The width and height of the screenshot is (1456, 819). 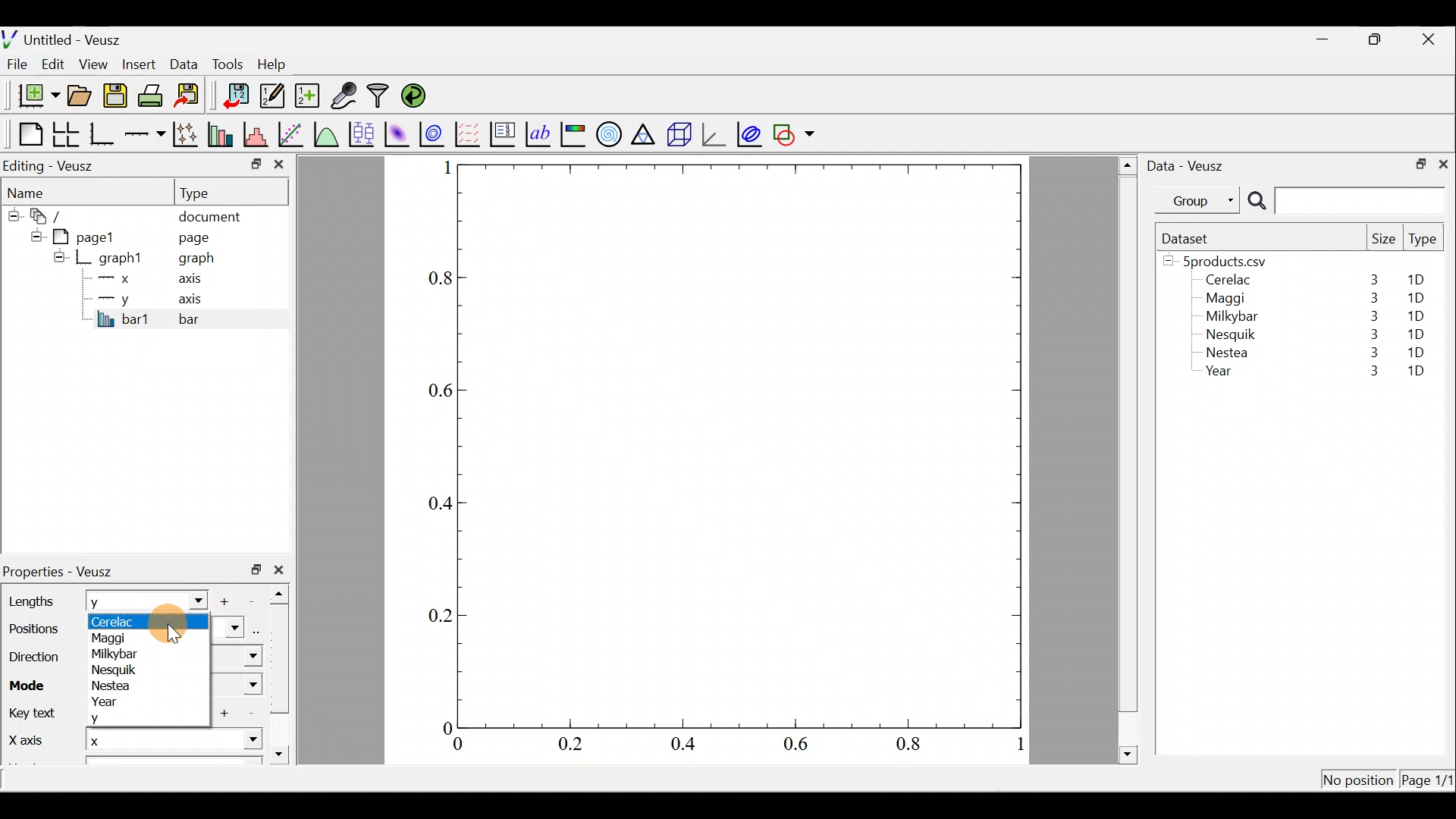 What do you see at coordinates (227, 713) in the screenshot?
I see `add another item` at bounding box center [227, 713].